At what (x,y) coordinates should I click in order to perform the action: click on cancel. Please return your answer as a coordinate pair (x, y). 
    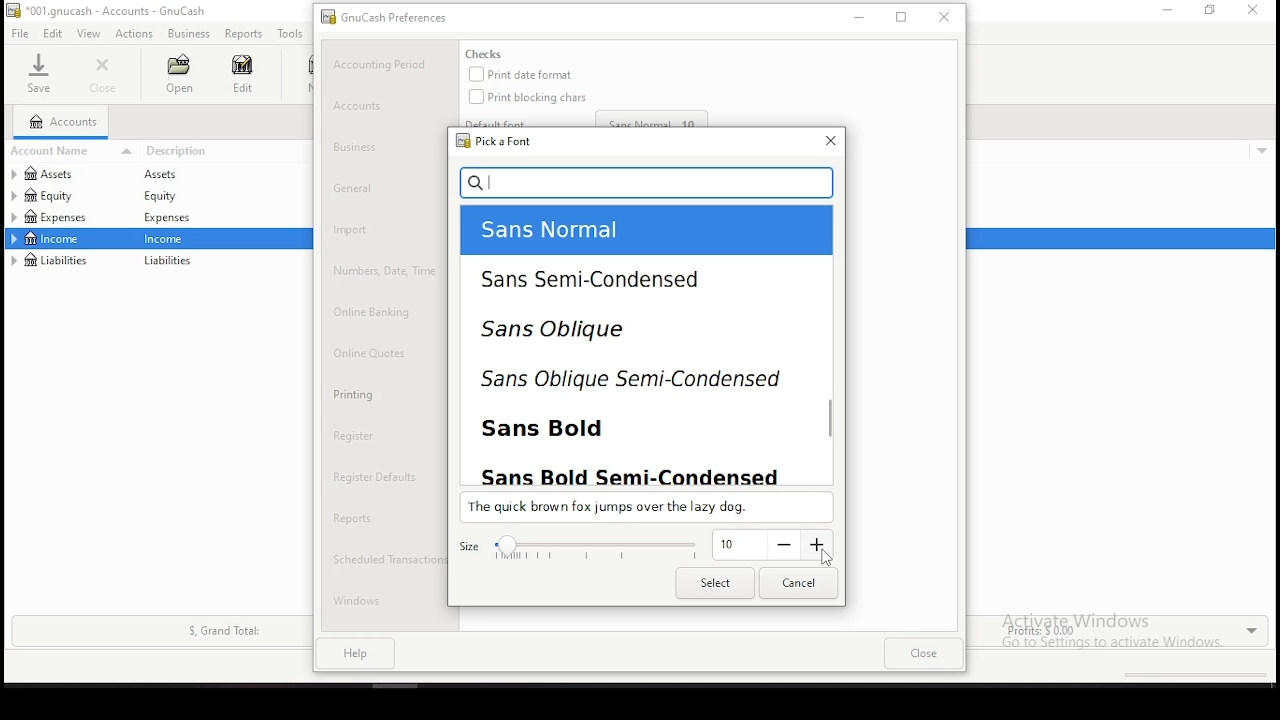
    Looking at the image, I should click on (798, 583).